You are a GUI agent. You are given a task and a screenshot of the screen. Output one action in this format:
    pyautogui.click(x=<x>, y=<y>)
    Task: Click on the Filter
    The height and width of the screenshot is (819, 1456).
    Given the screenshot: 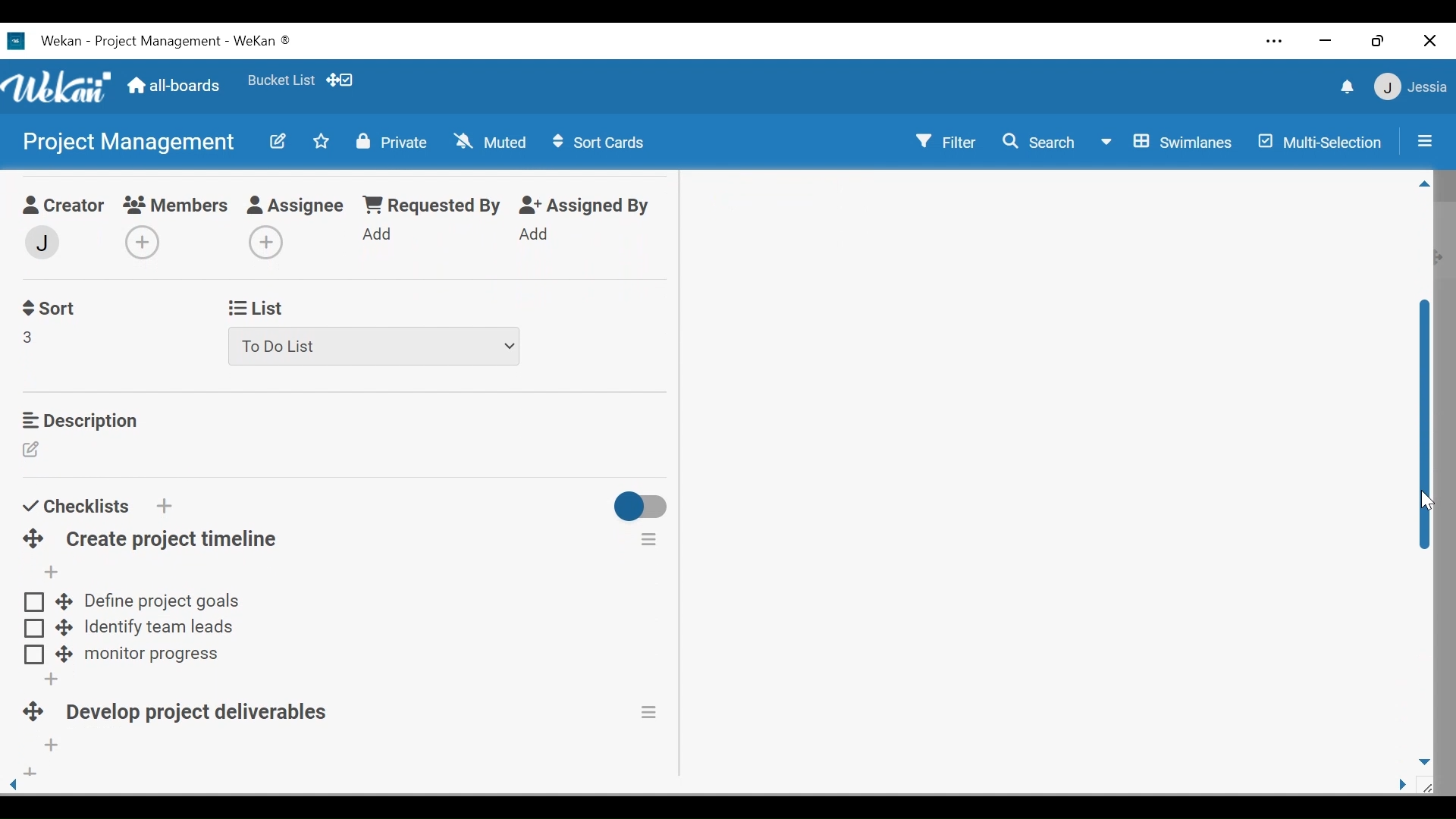 What is the action you would take?
    pyautogui.click(x=946, y=140)
    